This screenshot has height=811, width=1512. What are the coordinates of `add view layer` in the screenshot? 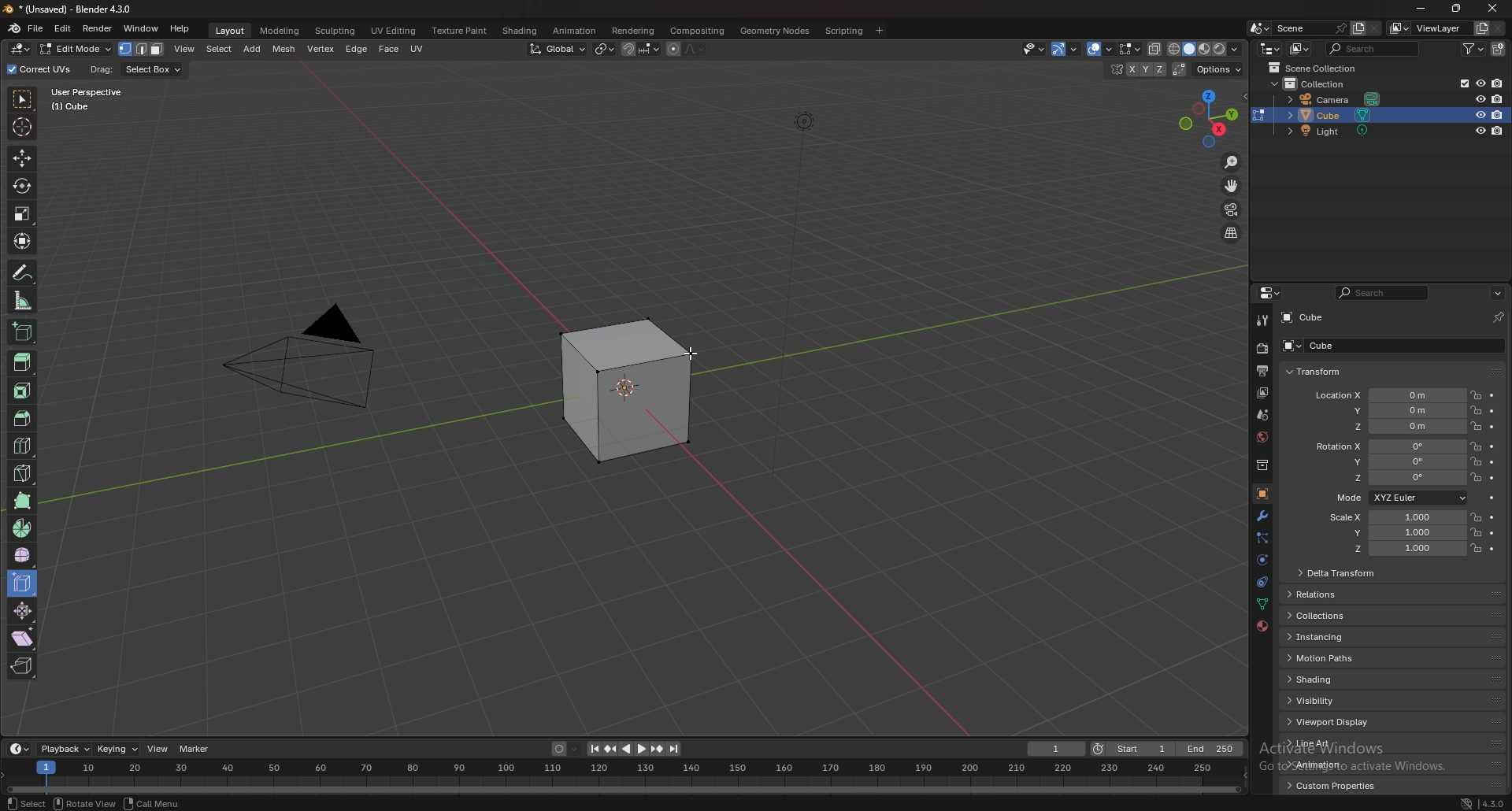 It's located at (1480, 28).